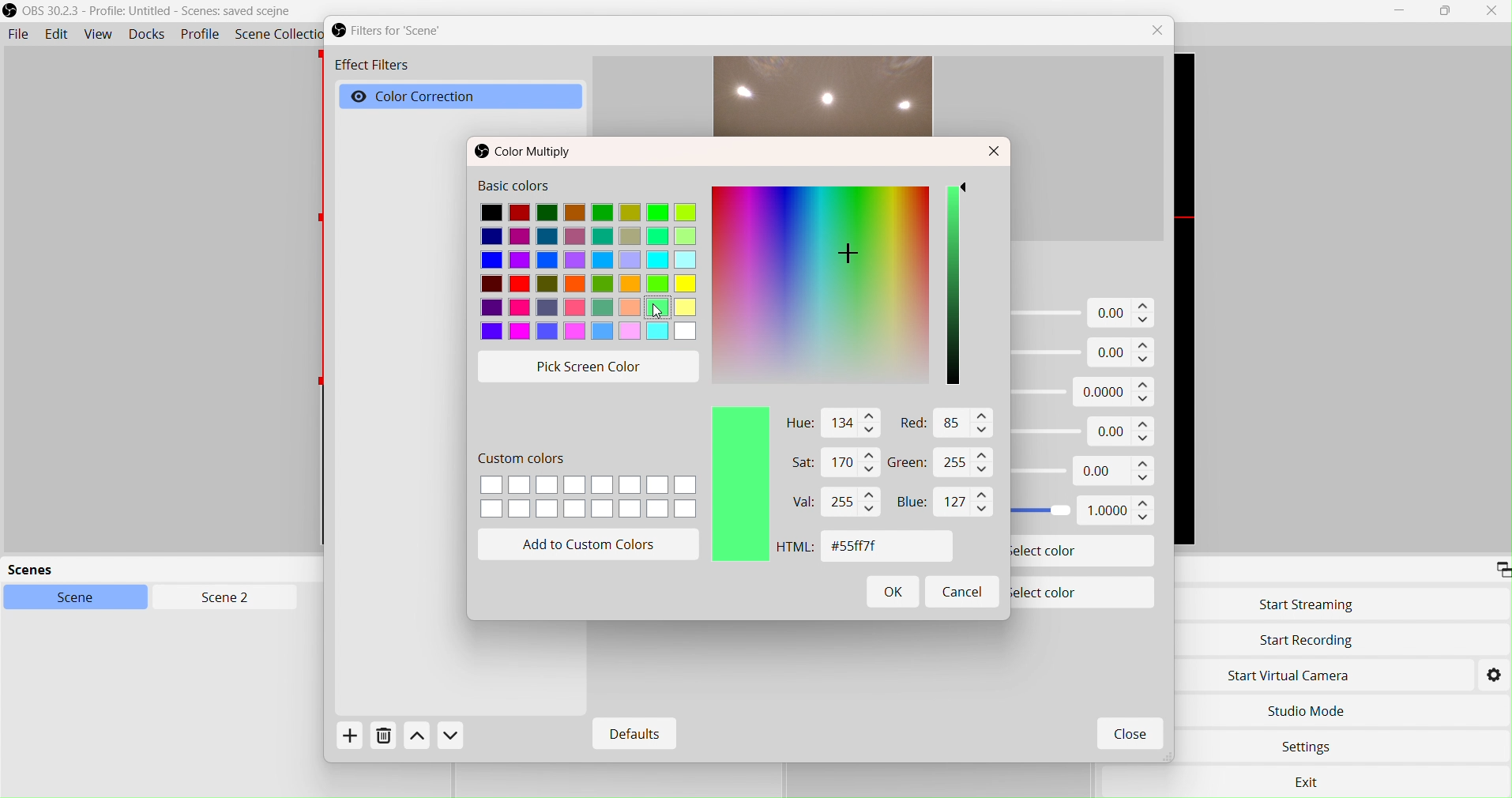  Describe the element at coordinates (995, 152) in the screenshot. I see `Close` at that location.